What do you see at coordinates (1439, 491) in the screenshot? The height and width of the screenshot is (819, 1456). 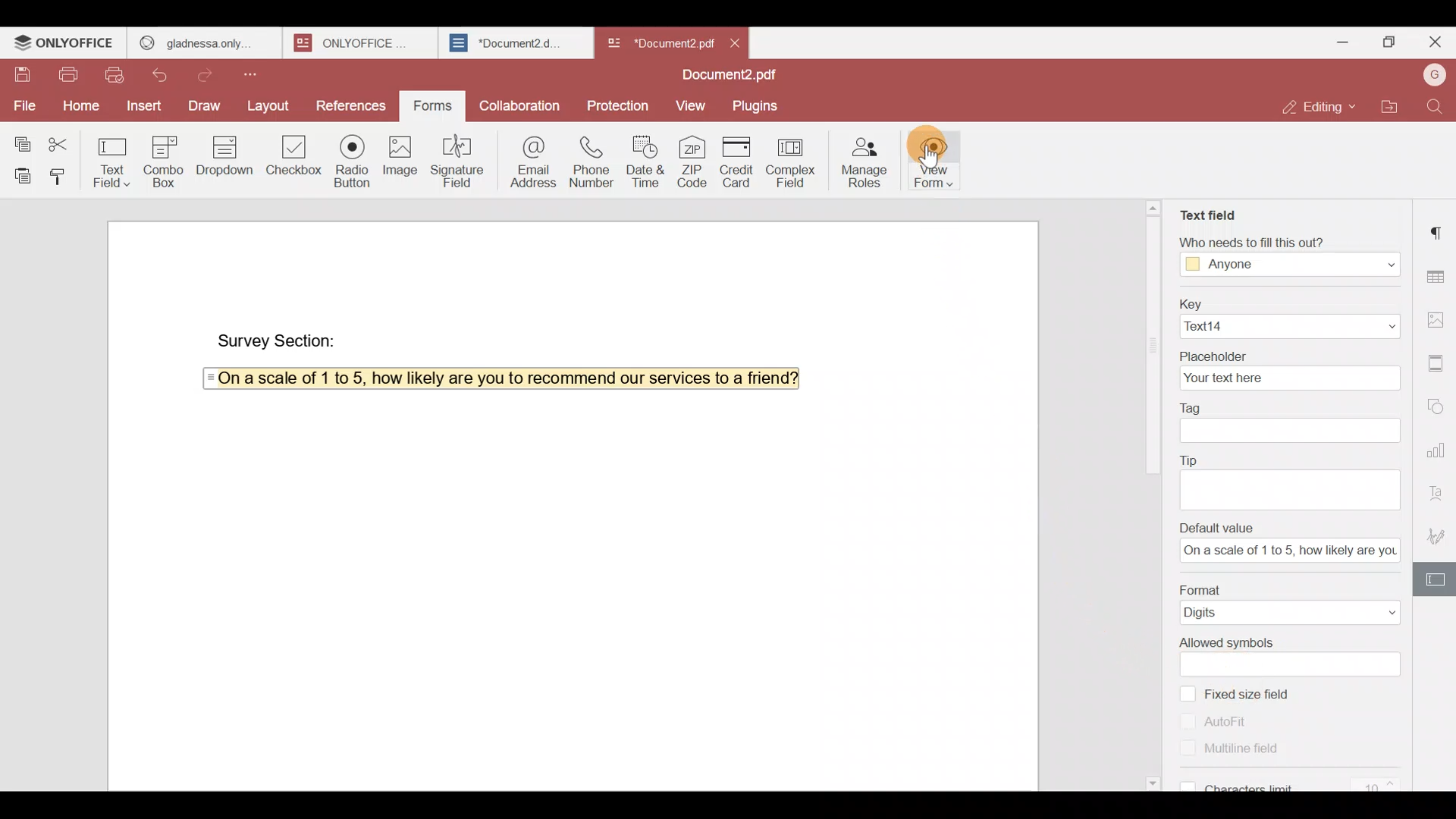 I see `Text Art settings` at bounding box center [1439, 491].